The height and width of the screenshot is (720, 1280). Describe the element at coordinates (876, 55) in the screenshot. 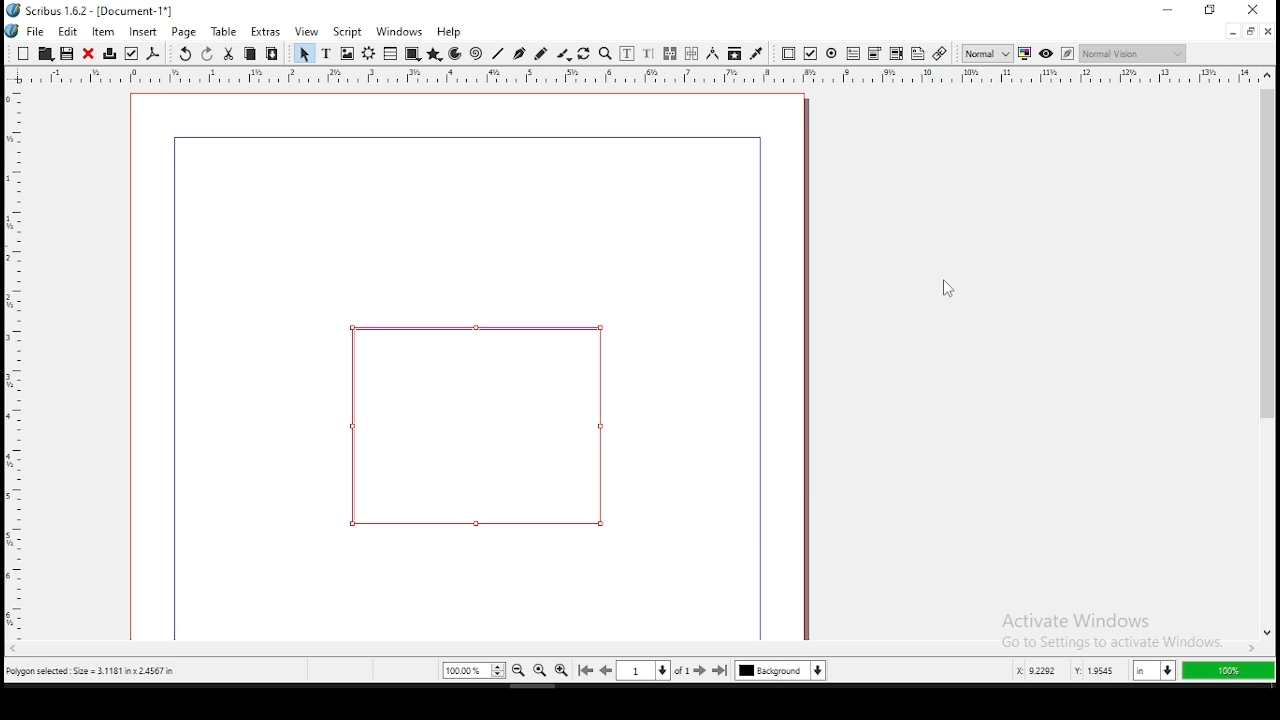

I see `pdf list box` at that location.